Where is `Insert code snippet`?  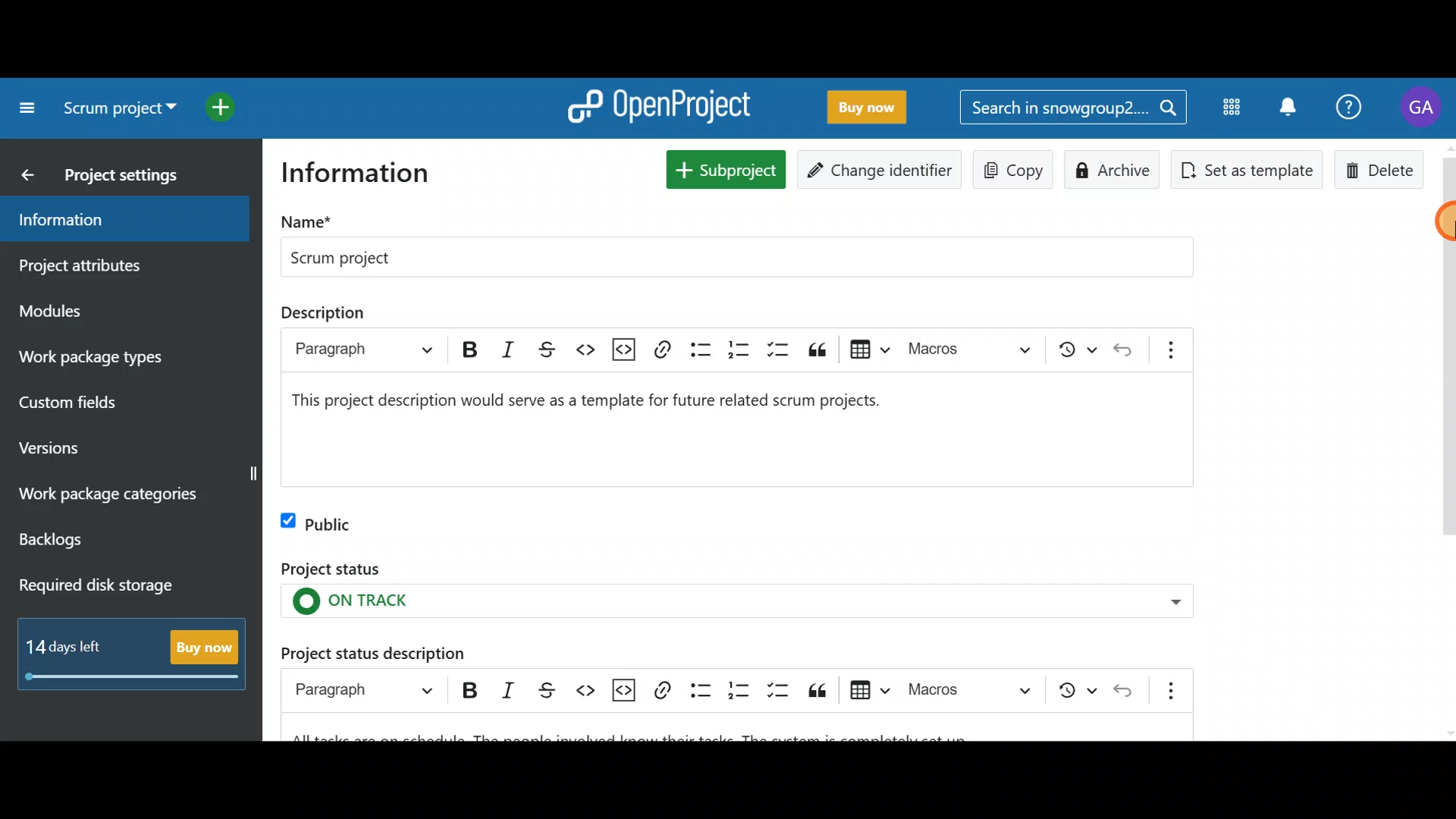
Insert code snippet is located at coordinates (623, 689).